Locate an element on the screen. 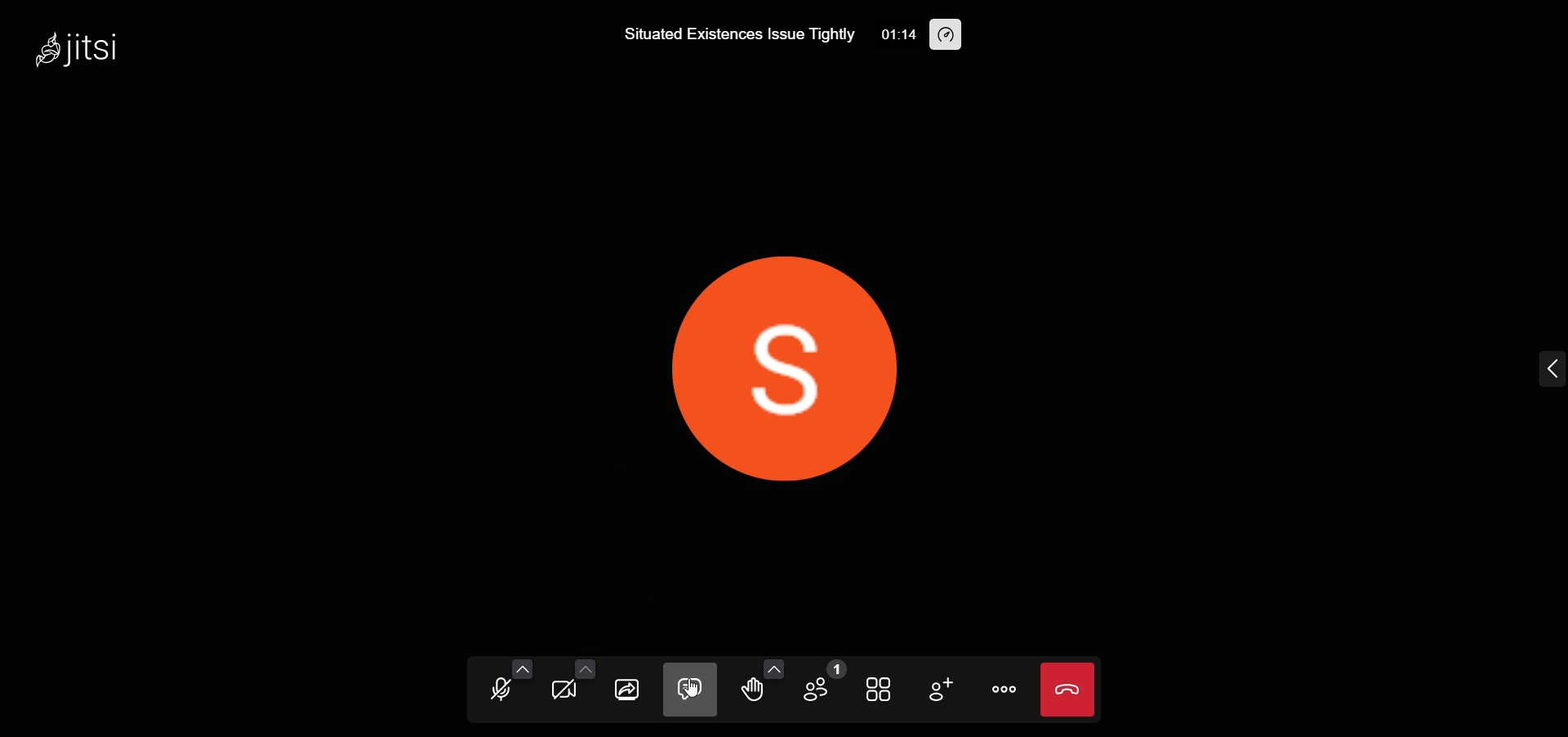 This screenshot has height=737, width=1568. screen share is located at coordinates (629, 690).